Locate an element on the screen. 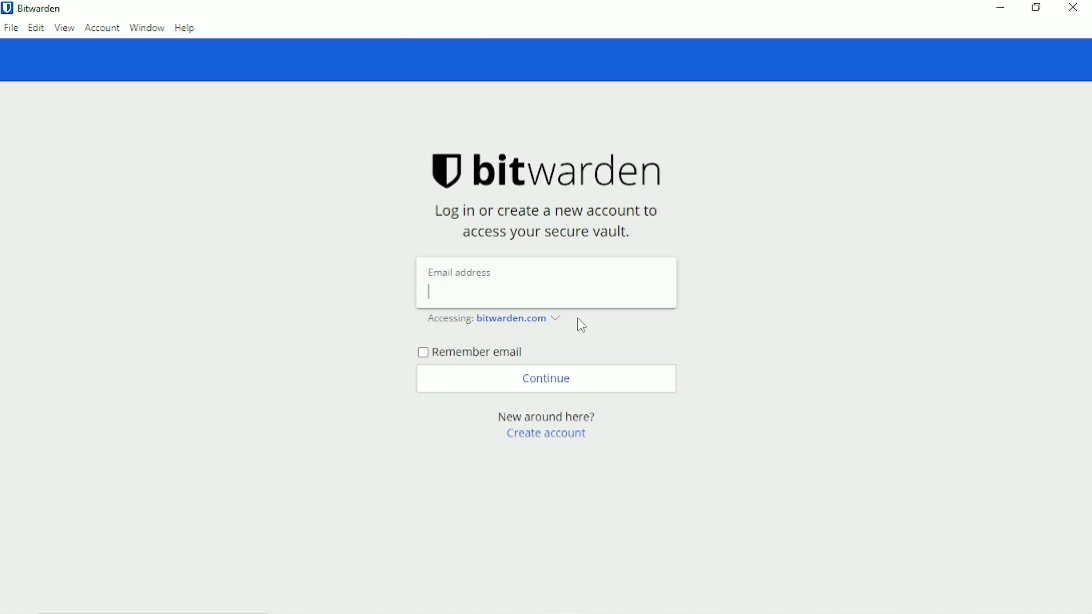 Image resolution: width=1092 pixels, height=614 pixels. Remember email is located at coordinates (472, 351).